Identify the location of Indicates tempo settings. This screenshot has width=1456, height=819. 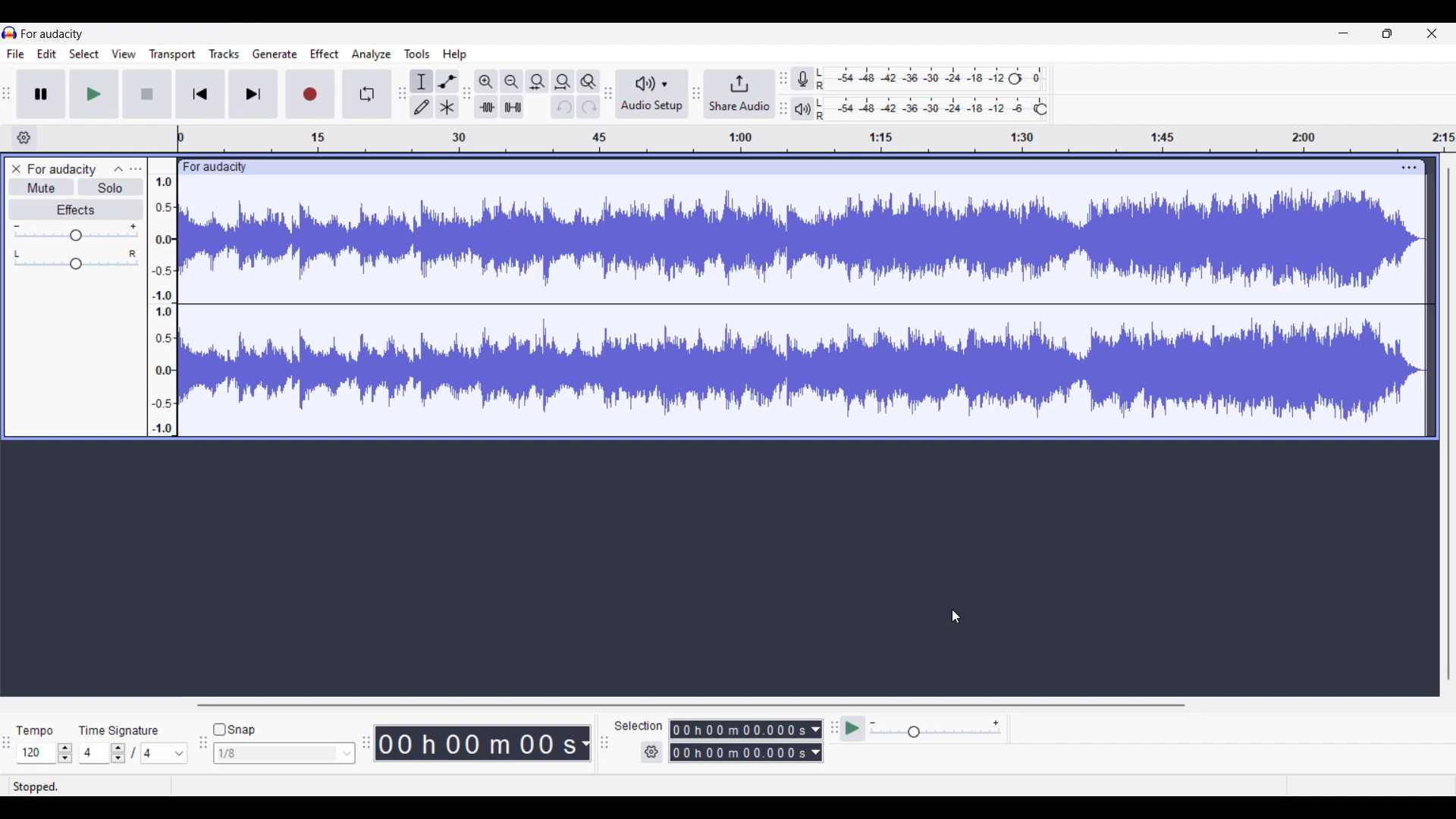
(35, 731).